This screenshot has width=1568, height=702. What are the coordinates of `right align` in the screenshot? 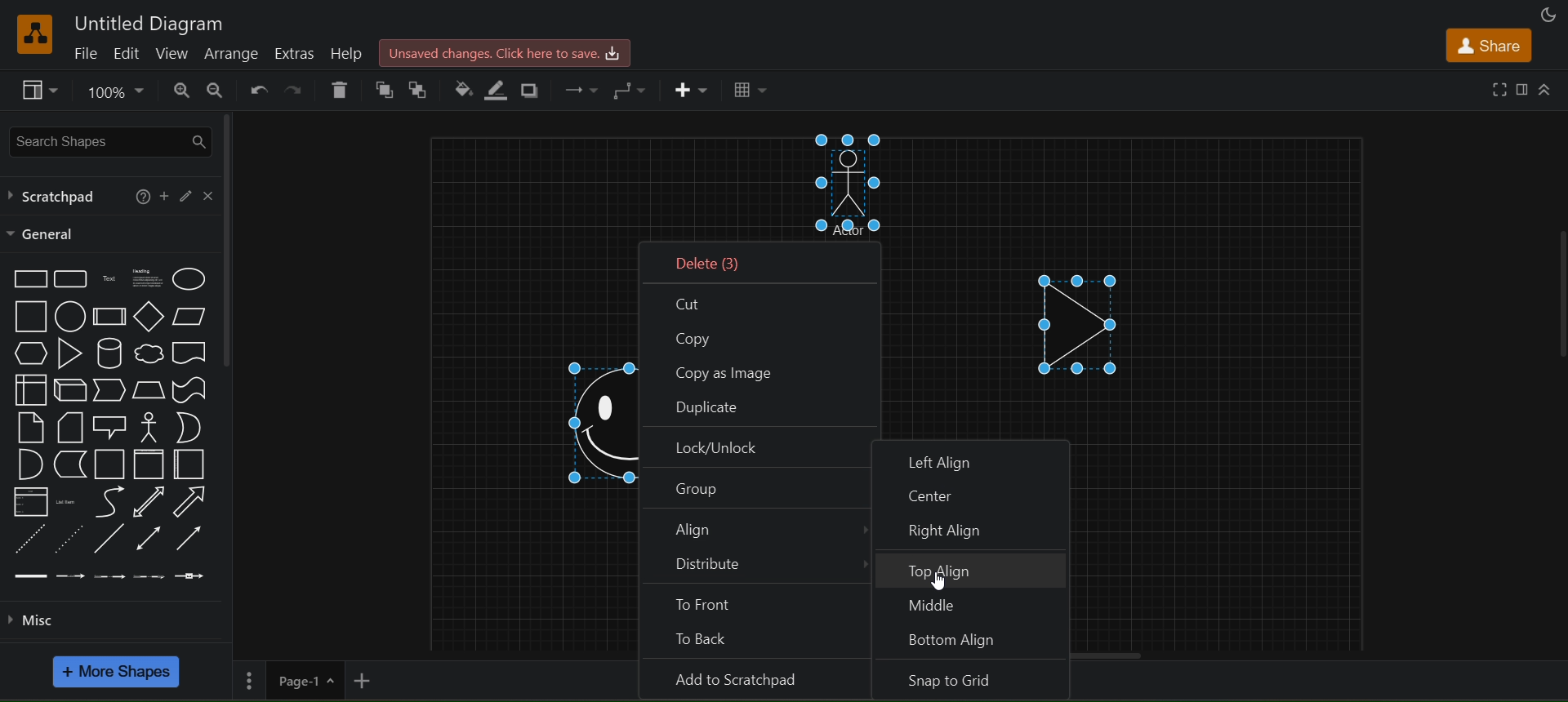 It's located at (980, 529).